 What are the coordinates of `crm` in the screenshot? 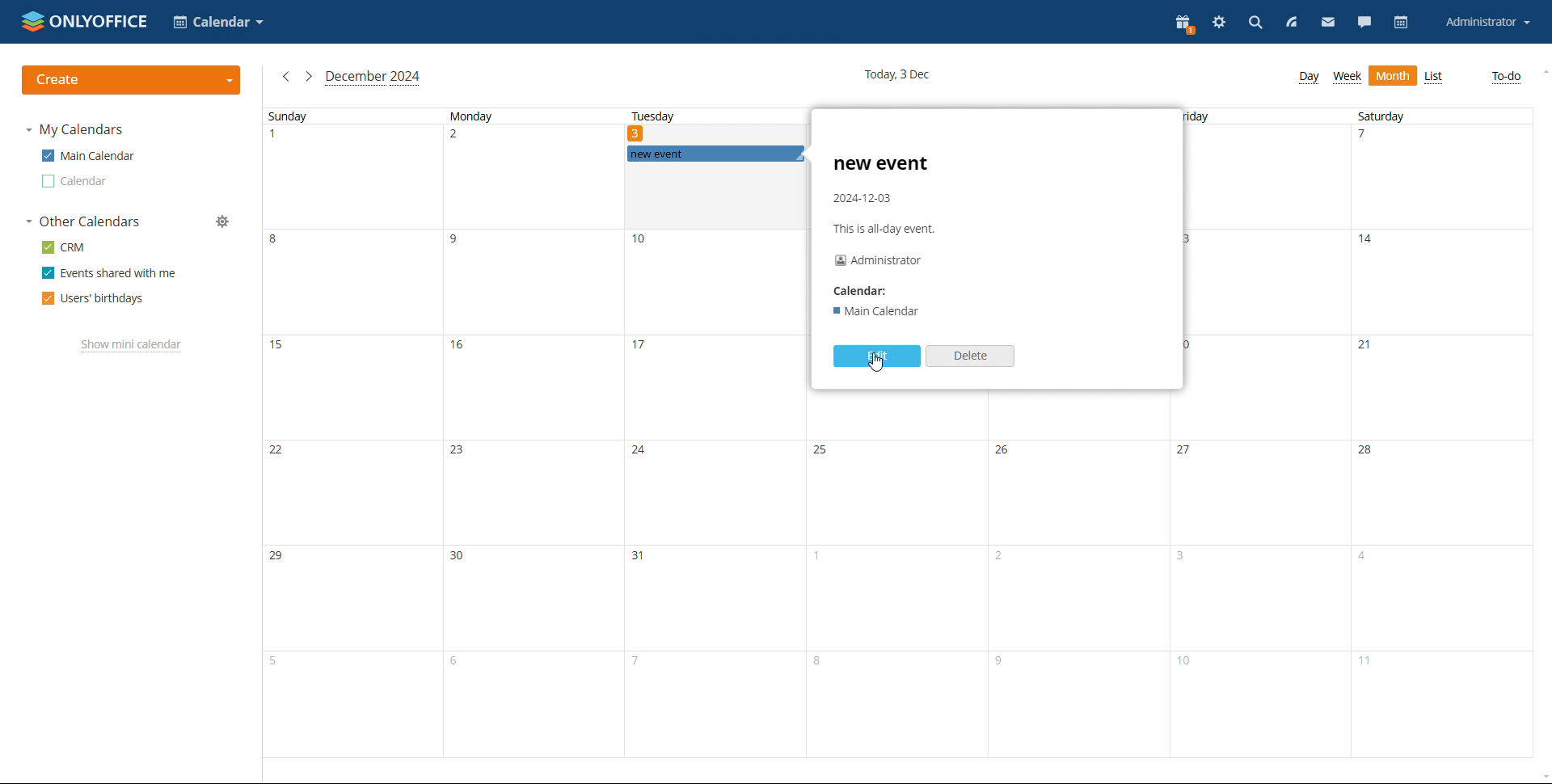 It's located at (62, 248).